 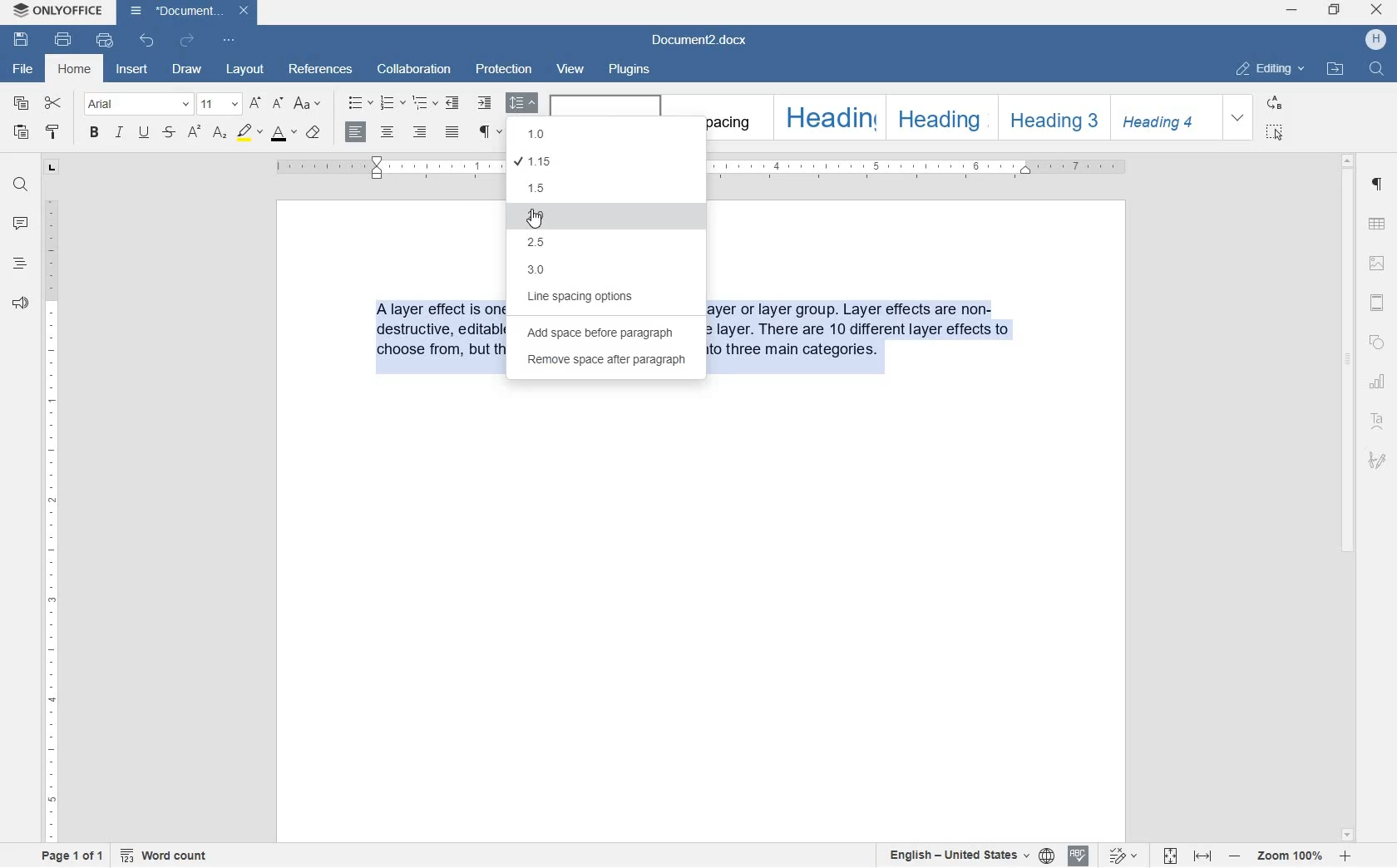 What do you see at coordinates (74, 856) in the screenshot?
I see `page 1 of 1` at bounding box center [74, 856].